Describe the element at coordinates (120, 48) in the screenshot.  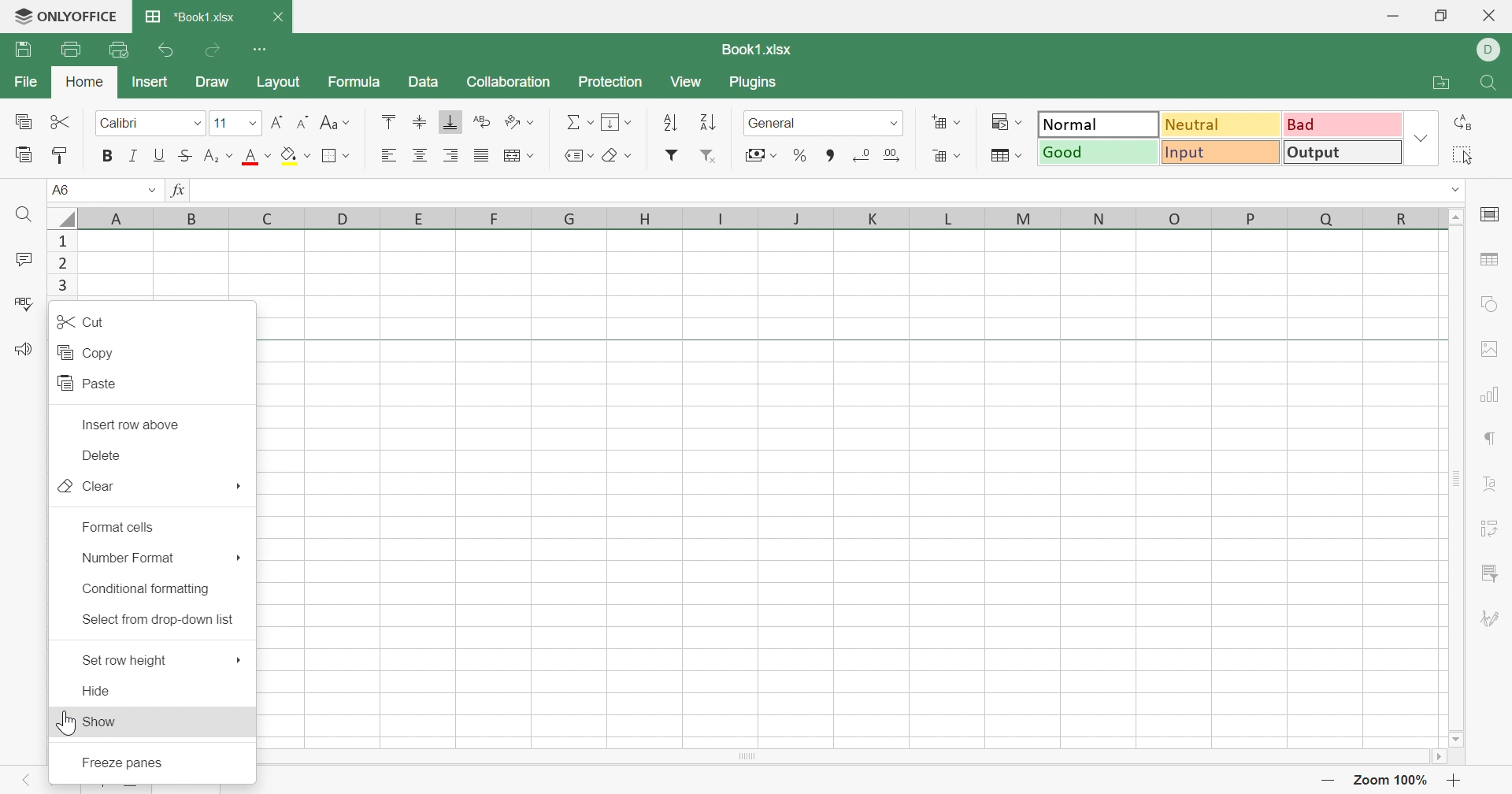
I see `Quick Print` at that location.